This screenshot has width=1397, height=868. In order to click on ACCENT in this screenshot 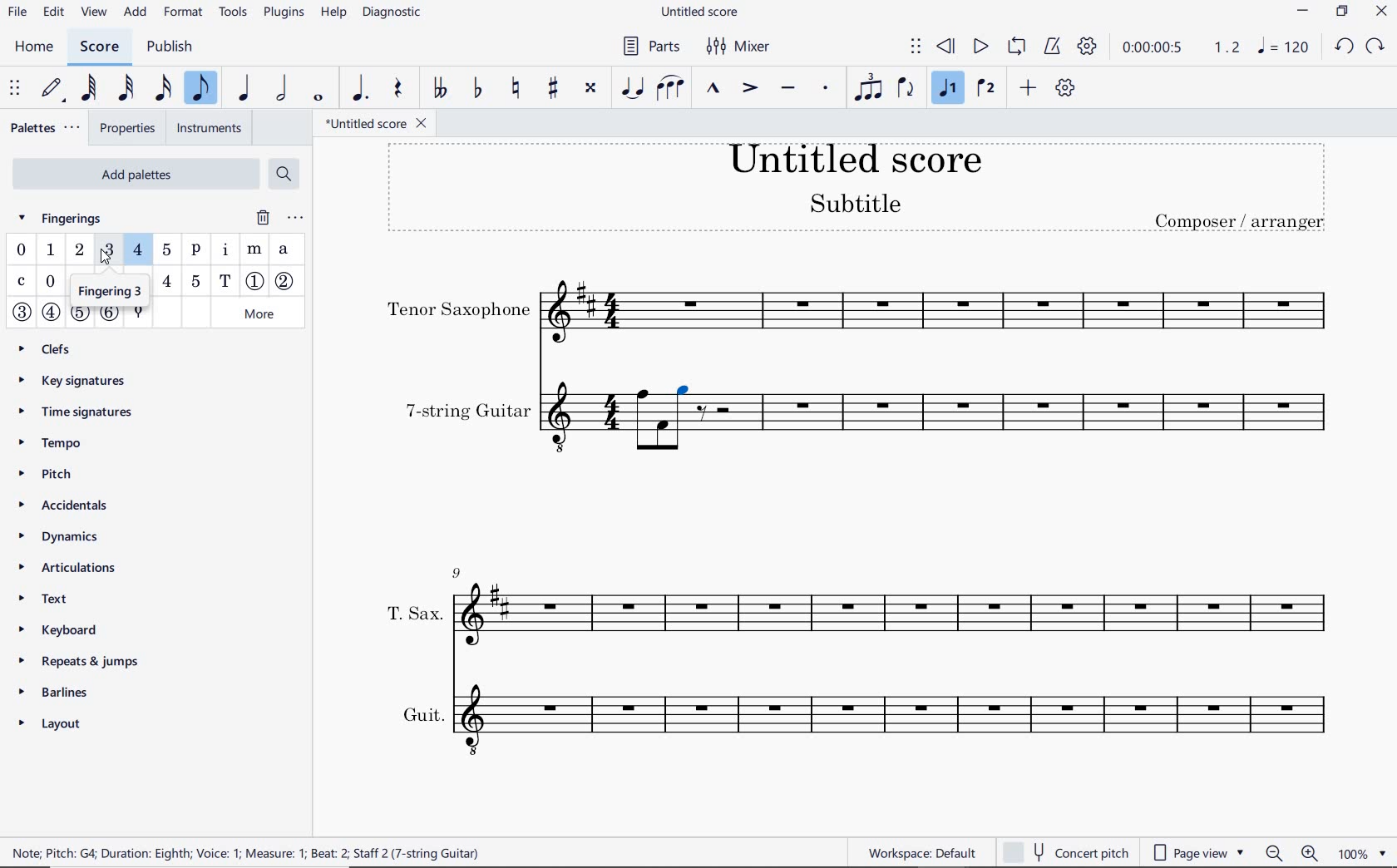, I will do `click(751, 88)`.